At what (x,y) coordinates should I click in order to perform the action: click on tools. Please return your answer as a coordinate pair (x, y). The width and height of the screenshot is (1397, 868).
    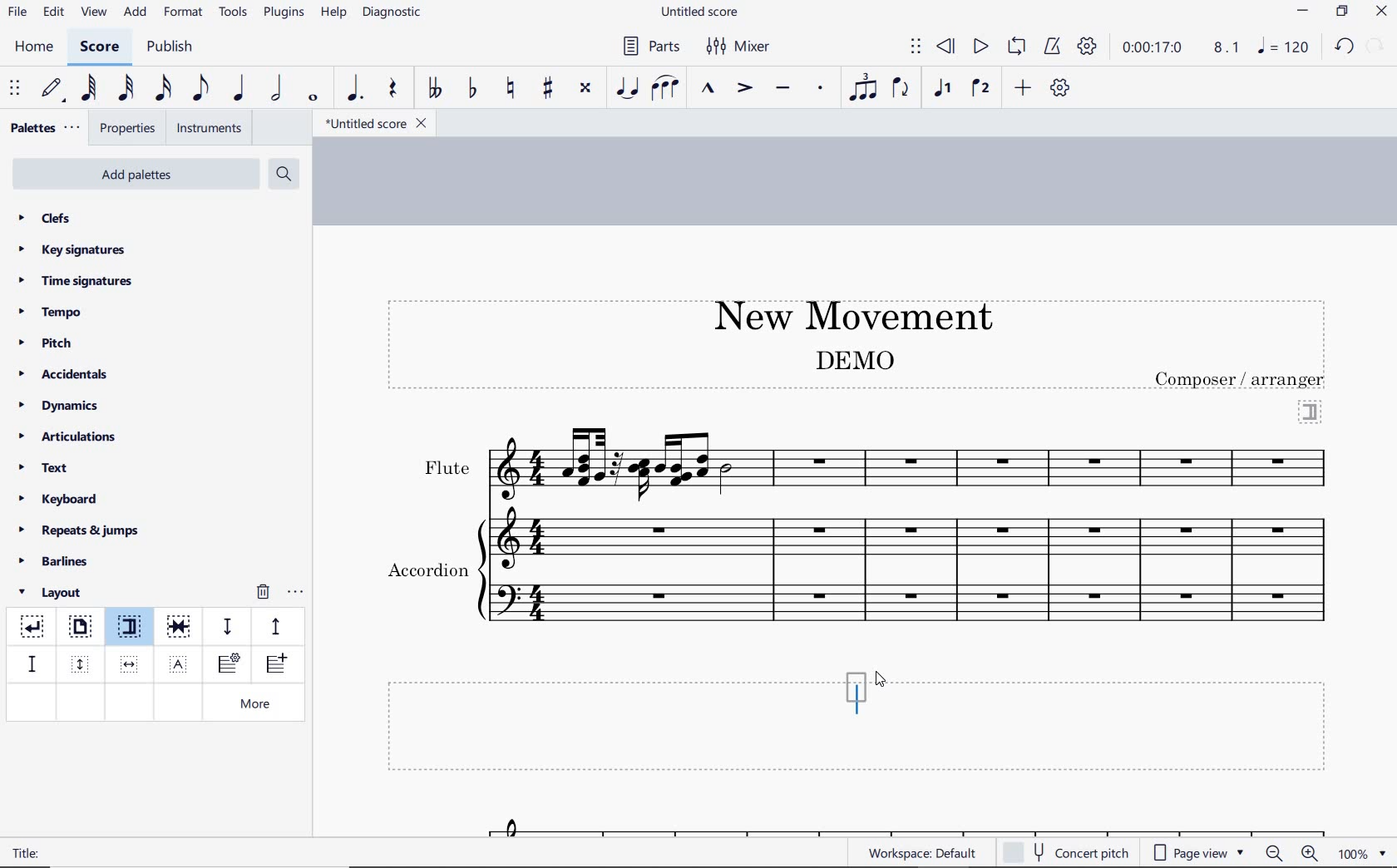
    Looking at the image, I should click on (234, 12).